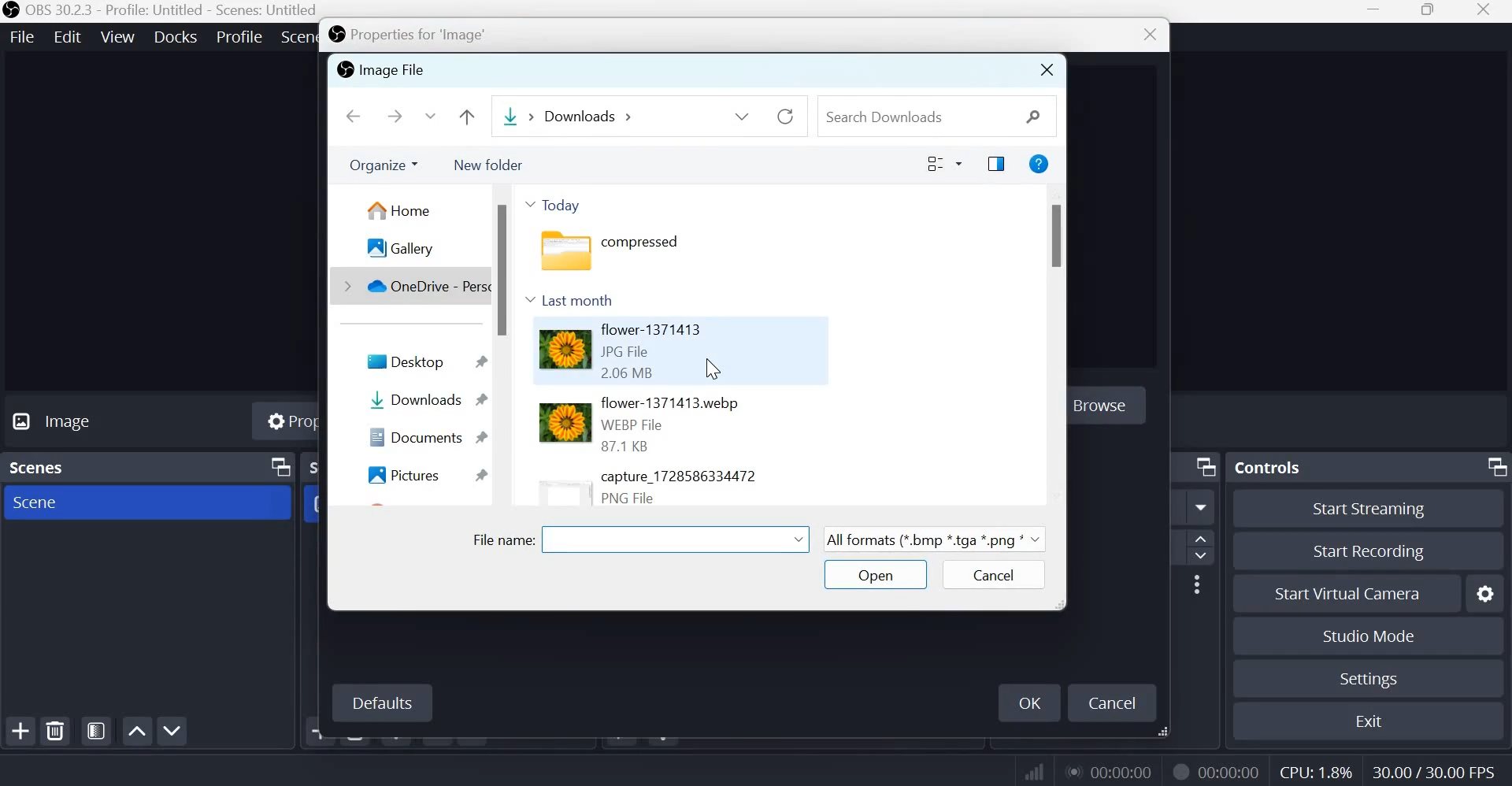  What do you see at coordinates (631, 254) in the screenshot?
I see `compressed` at bounding box center [631, 254].